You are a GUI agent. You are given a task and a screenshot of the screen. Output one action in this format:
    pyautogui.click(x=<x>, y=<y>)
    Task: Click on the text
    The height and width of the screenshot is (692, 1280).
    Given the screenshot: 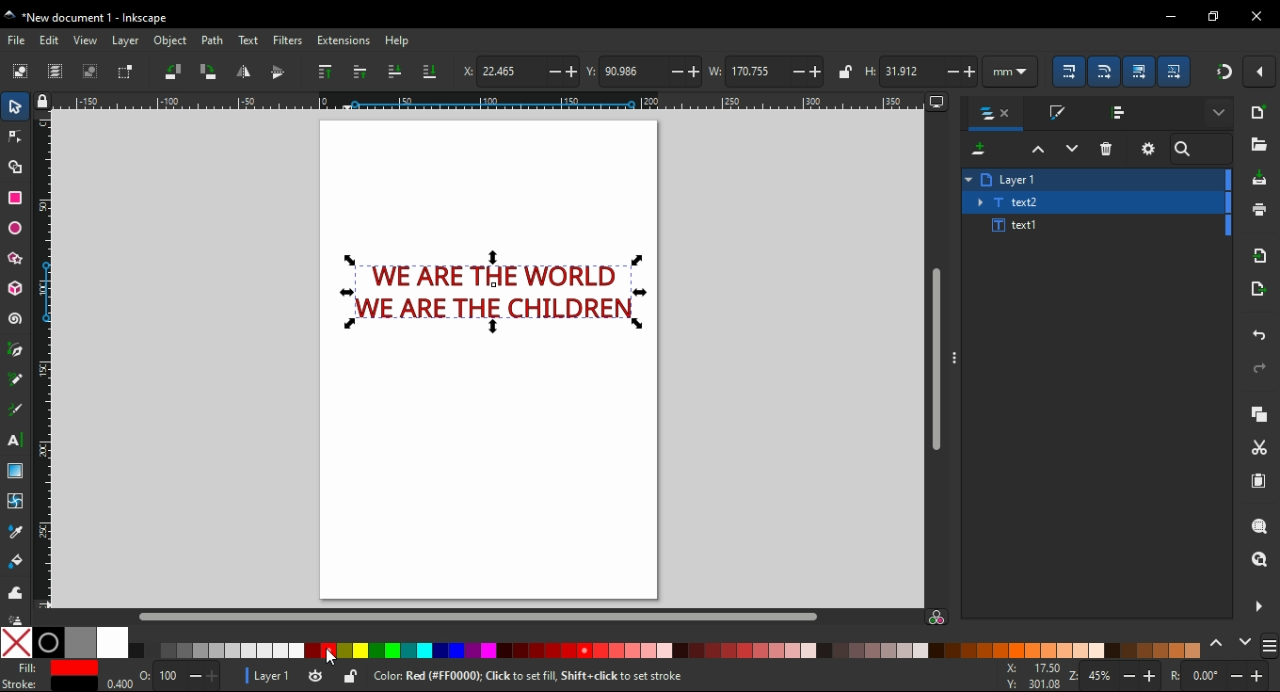 What is the action you would take?
    pyautogui.click(x=248, y=40)
    